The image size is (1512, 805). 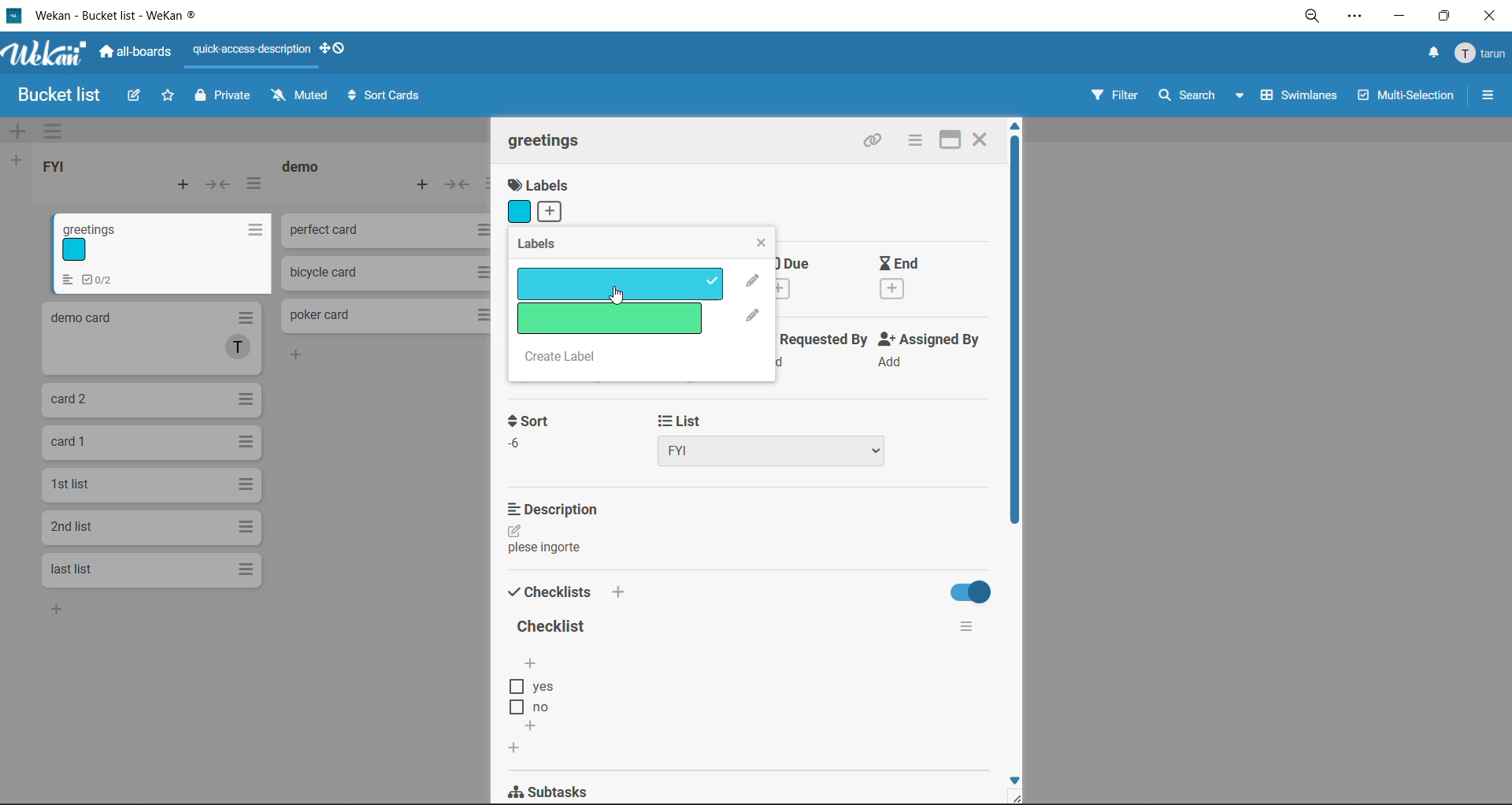 What do you see at coordinates (546, 551) in the screenshot?
I see `text` at bounding box center [546, 551].